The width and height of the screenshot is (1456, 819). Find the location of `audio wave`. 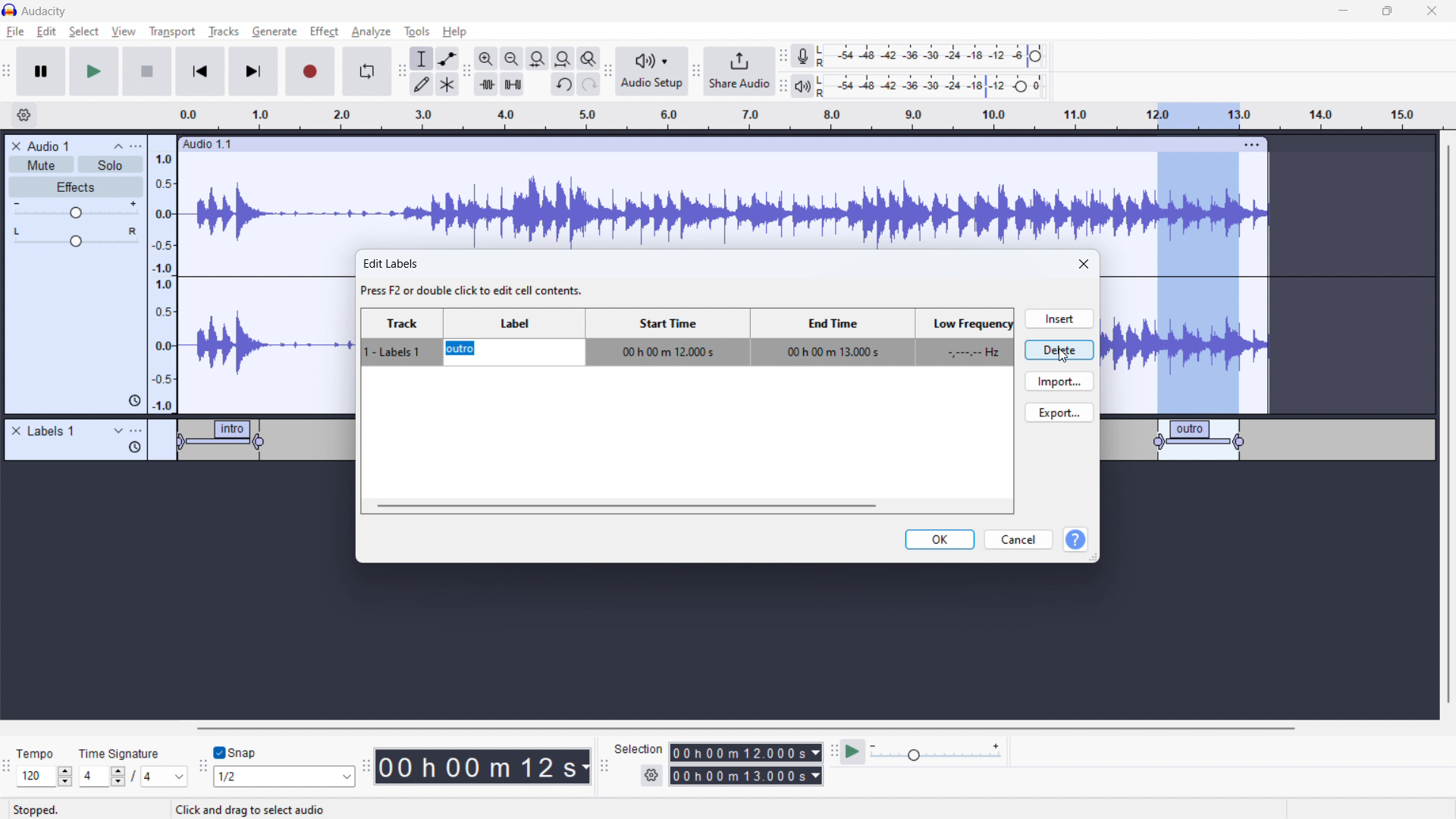

audio wave is located at coordinates (268, 332).